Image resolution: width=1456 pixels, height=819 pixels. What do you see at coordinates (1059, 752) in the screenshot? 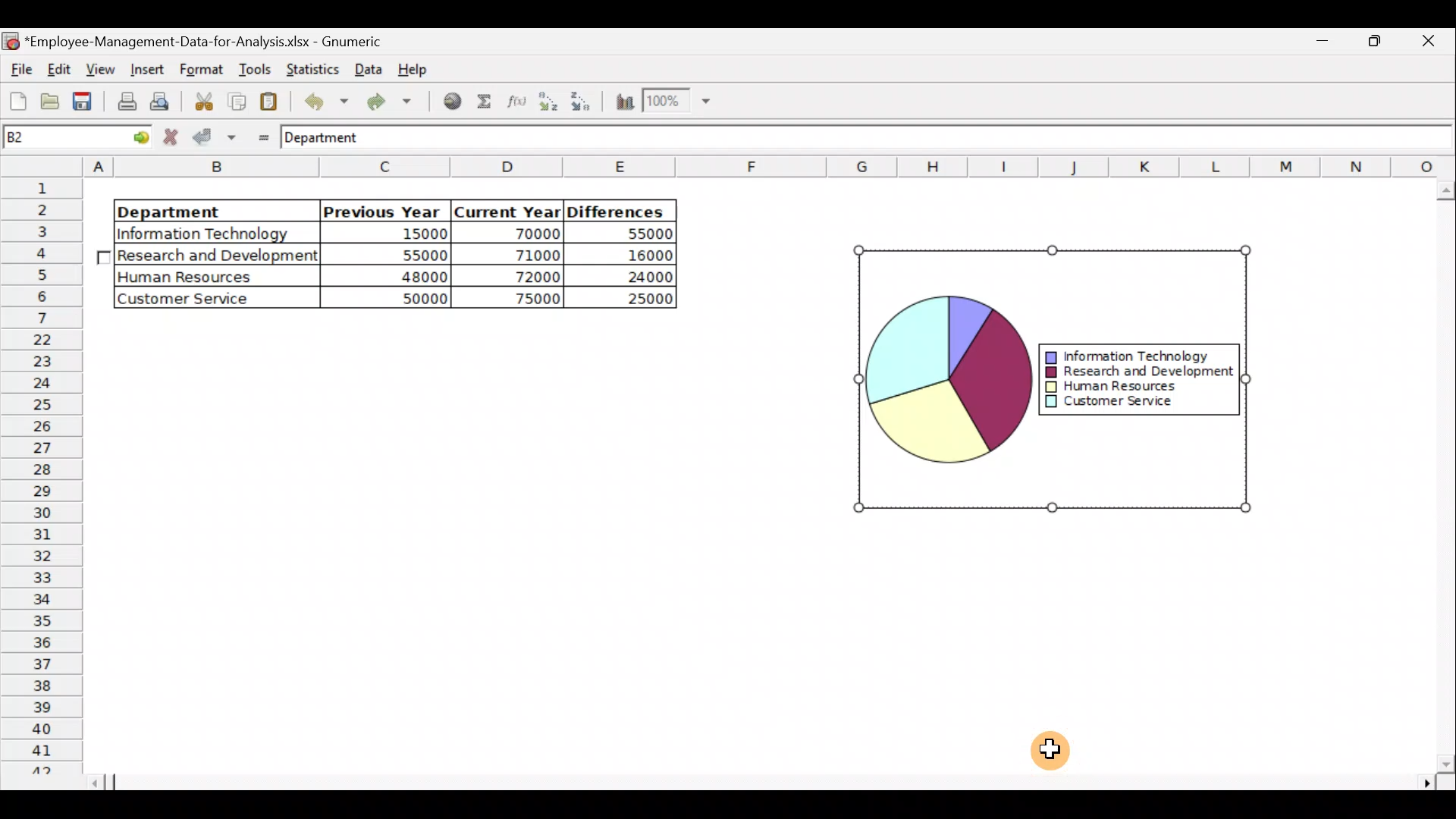
I see `Cursor` at bounding box center [1059, 752].